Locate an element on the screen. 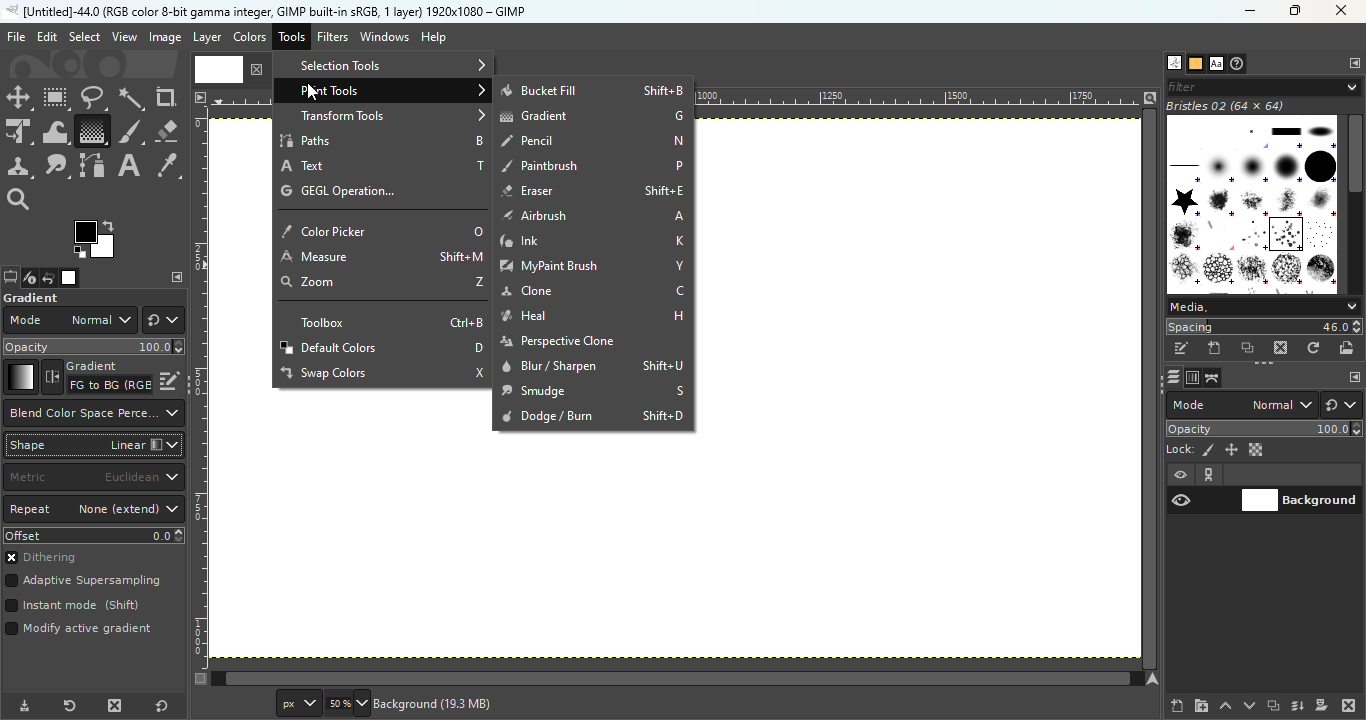 The width and height of the screenshot is (1366, 720). My paint brush is located at coordinates (591, 266).